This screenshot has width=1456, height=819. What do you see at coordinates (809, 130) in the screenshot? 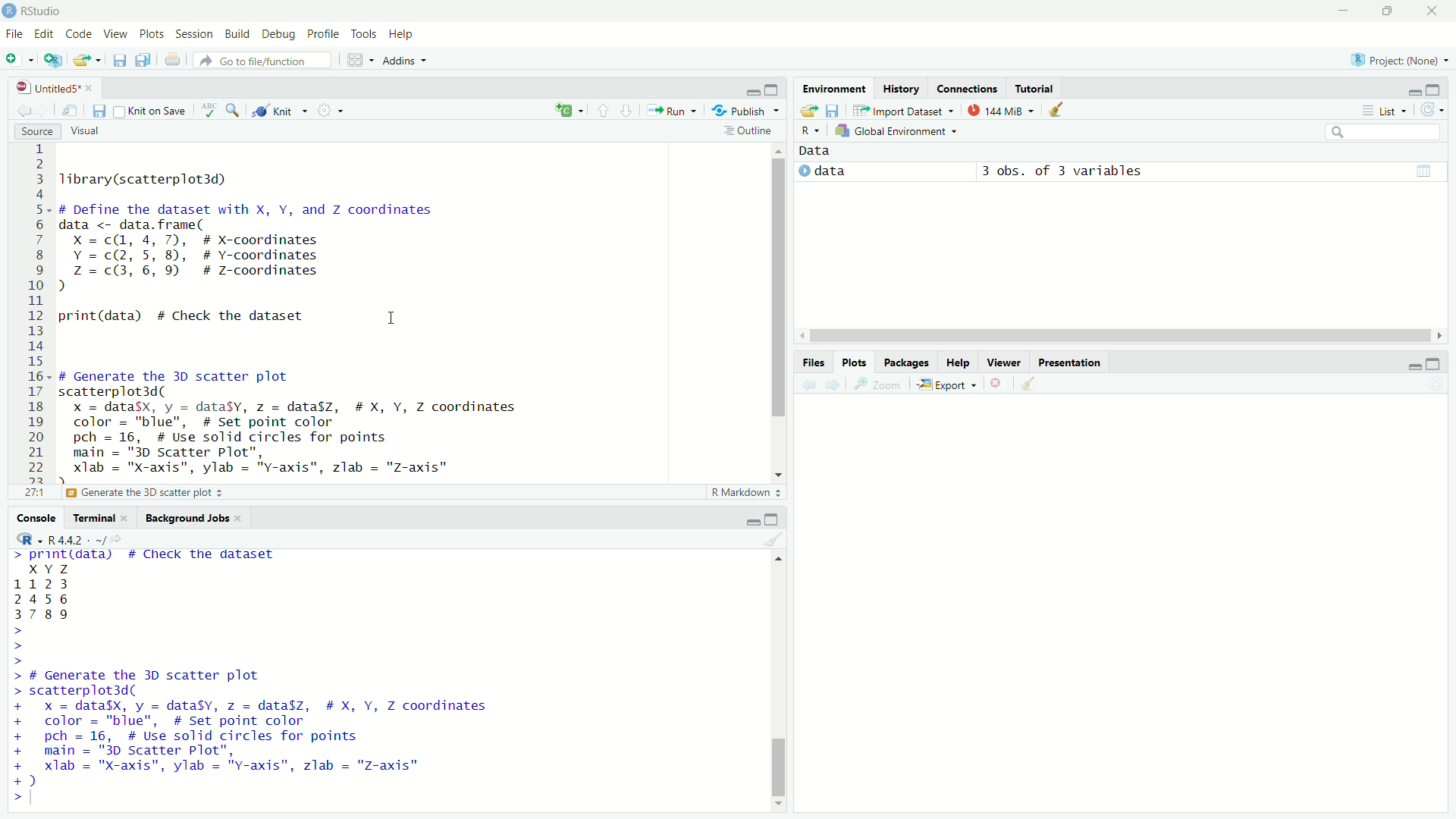
I see `R` at bounding box center [809, 130].